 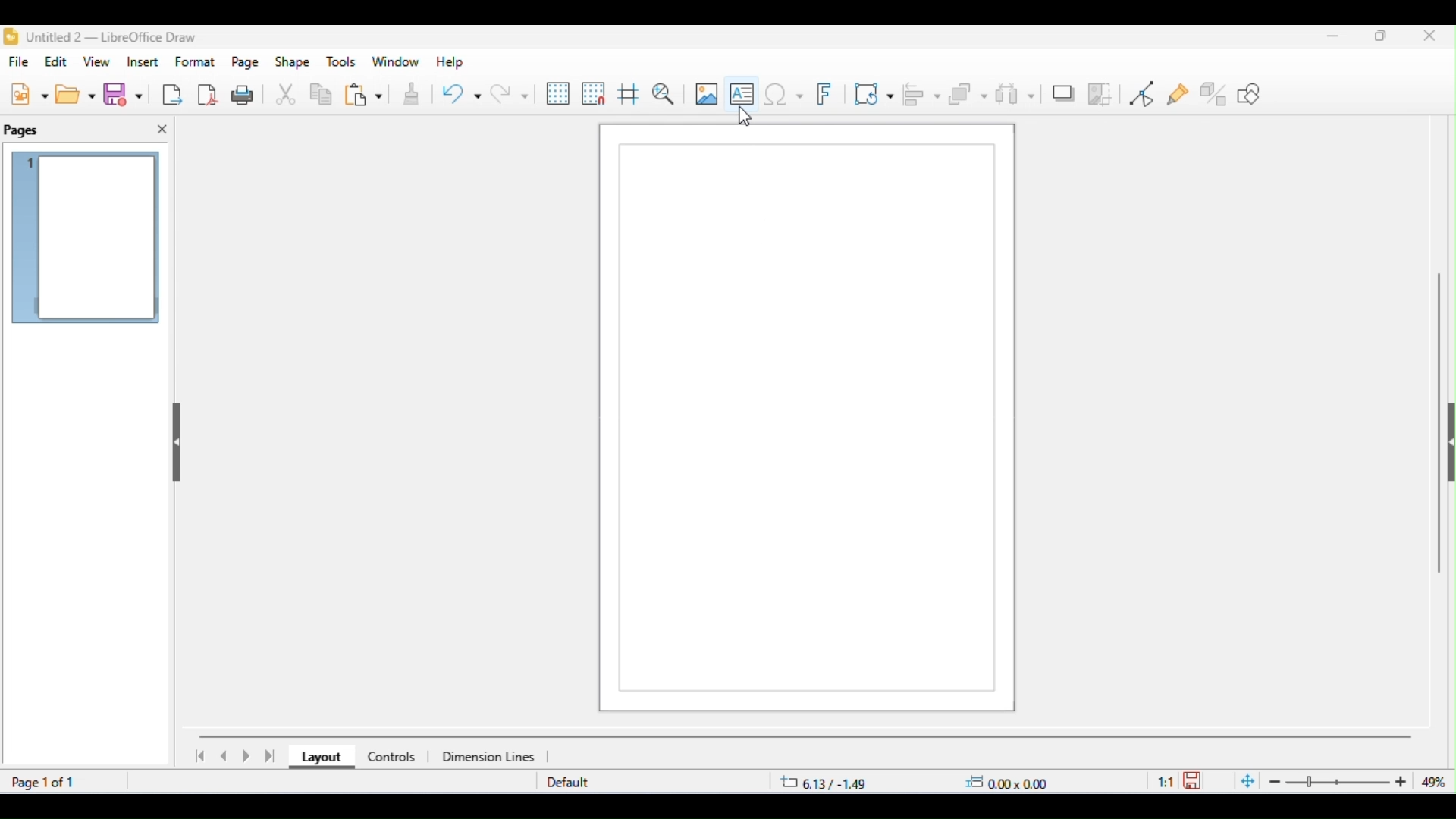 I want to click on show helplines while moving, so click(x=628, y=96).